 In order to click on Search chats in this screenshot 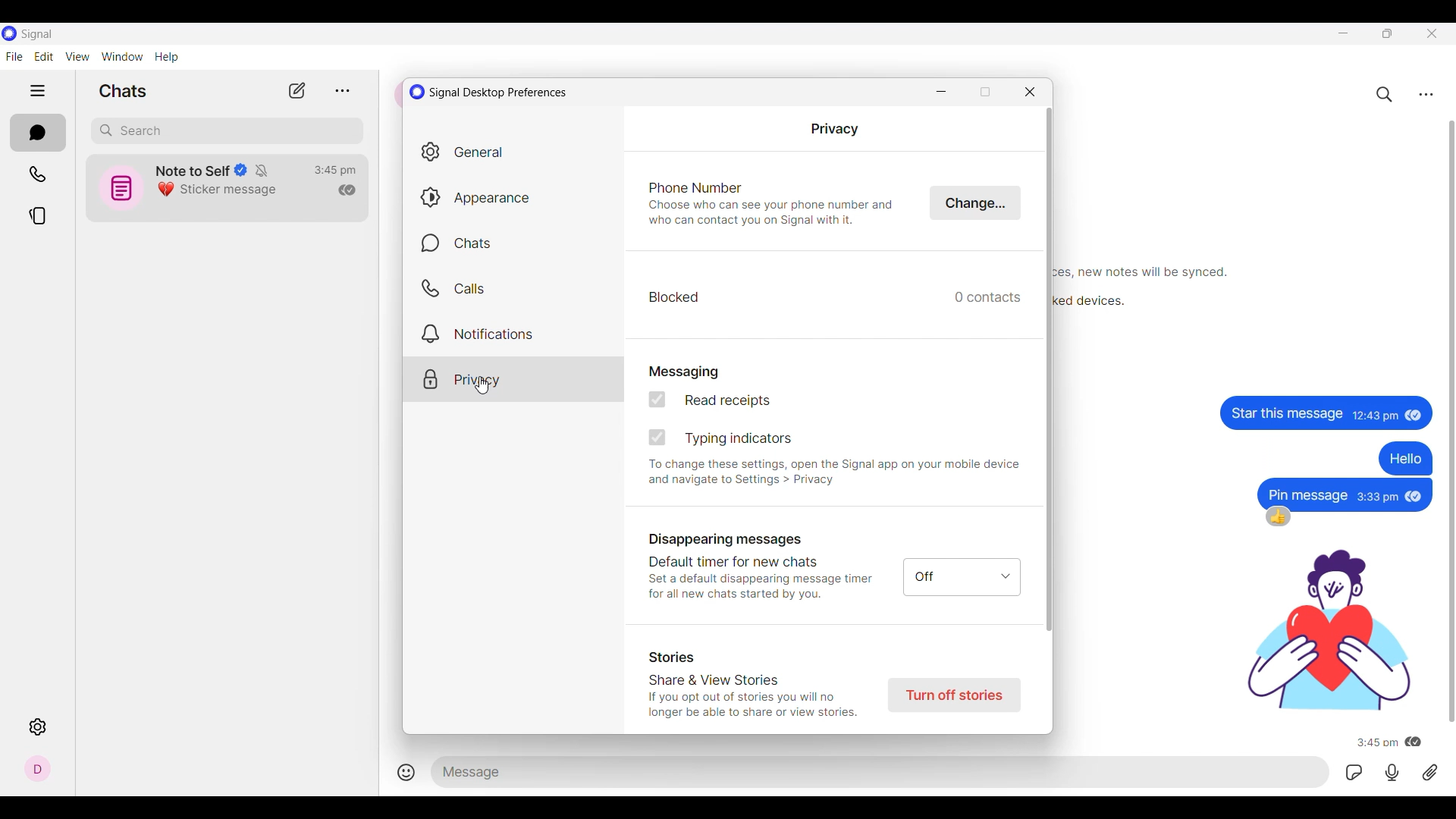, I will do `click(1385, 95)`.